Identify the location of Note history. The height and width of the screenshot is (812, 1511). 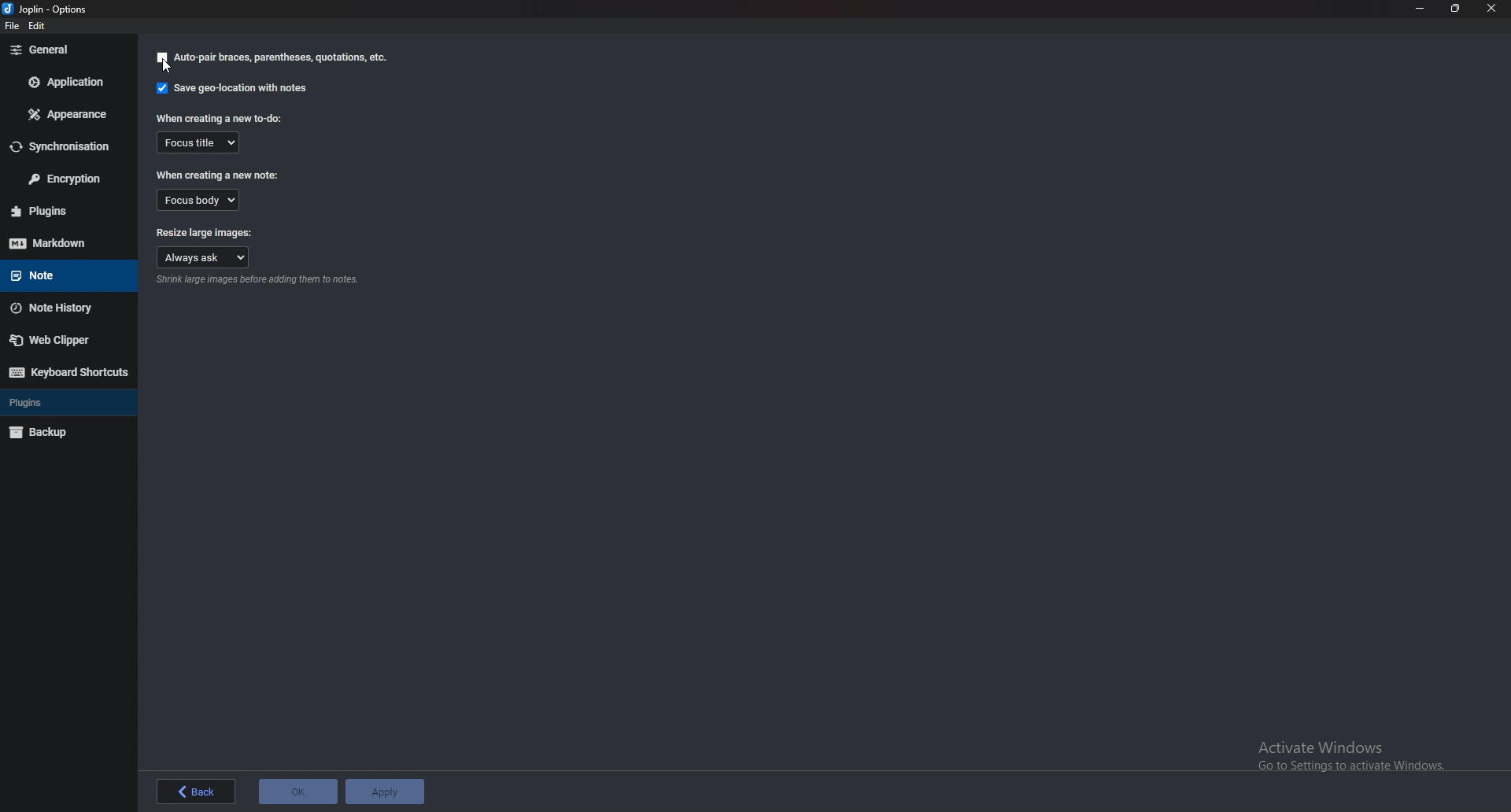
(65, 309).